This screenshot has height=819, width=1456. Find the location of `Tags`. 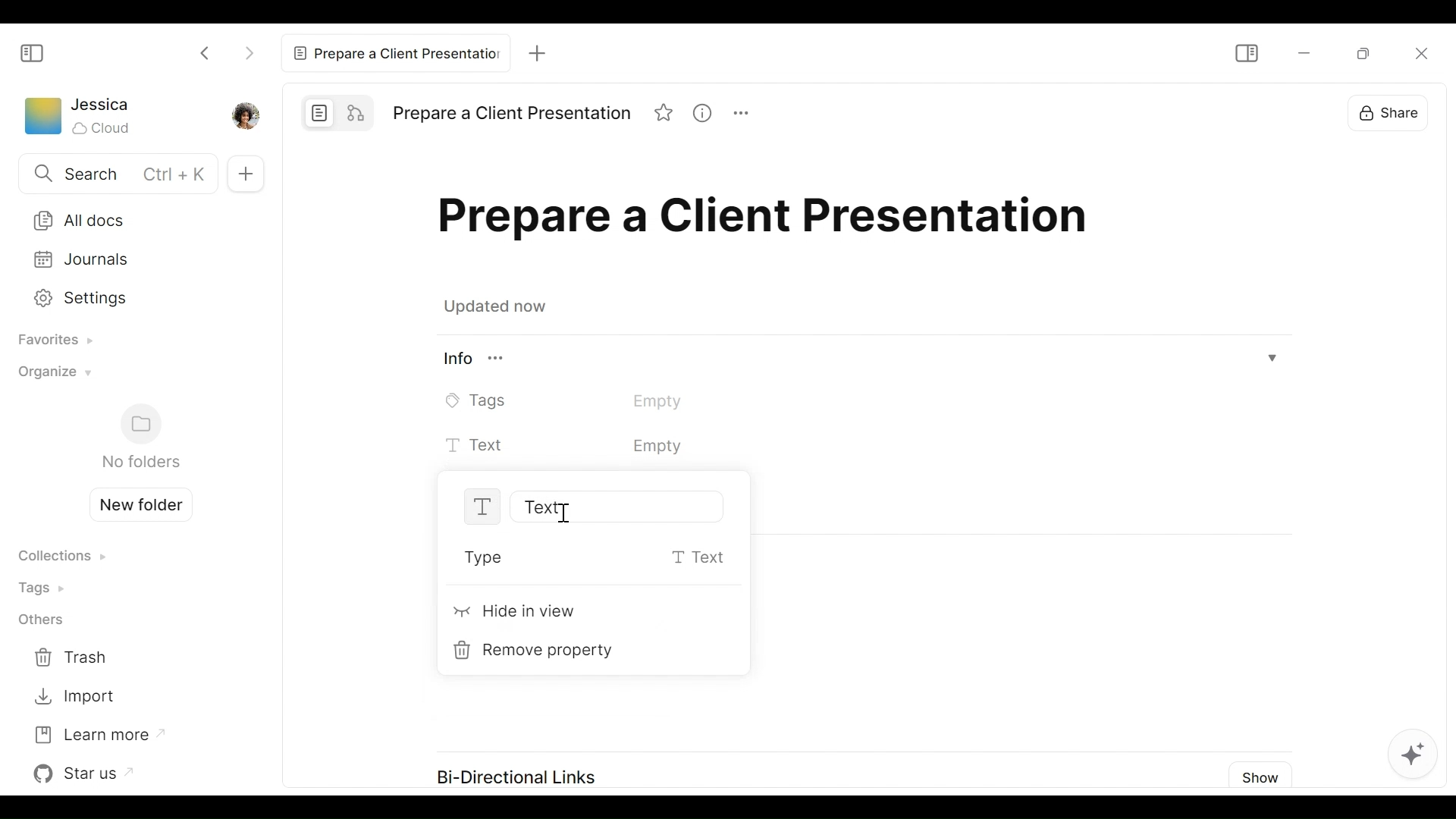

Tags is located at coordinates (585, 400).